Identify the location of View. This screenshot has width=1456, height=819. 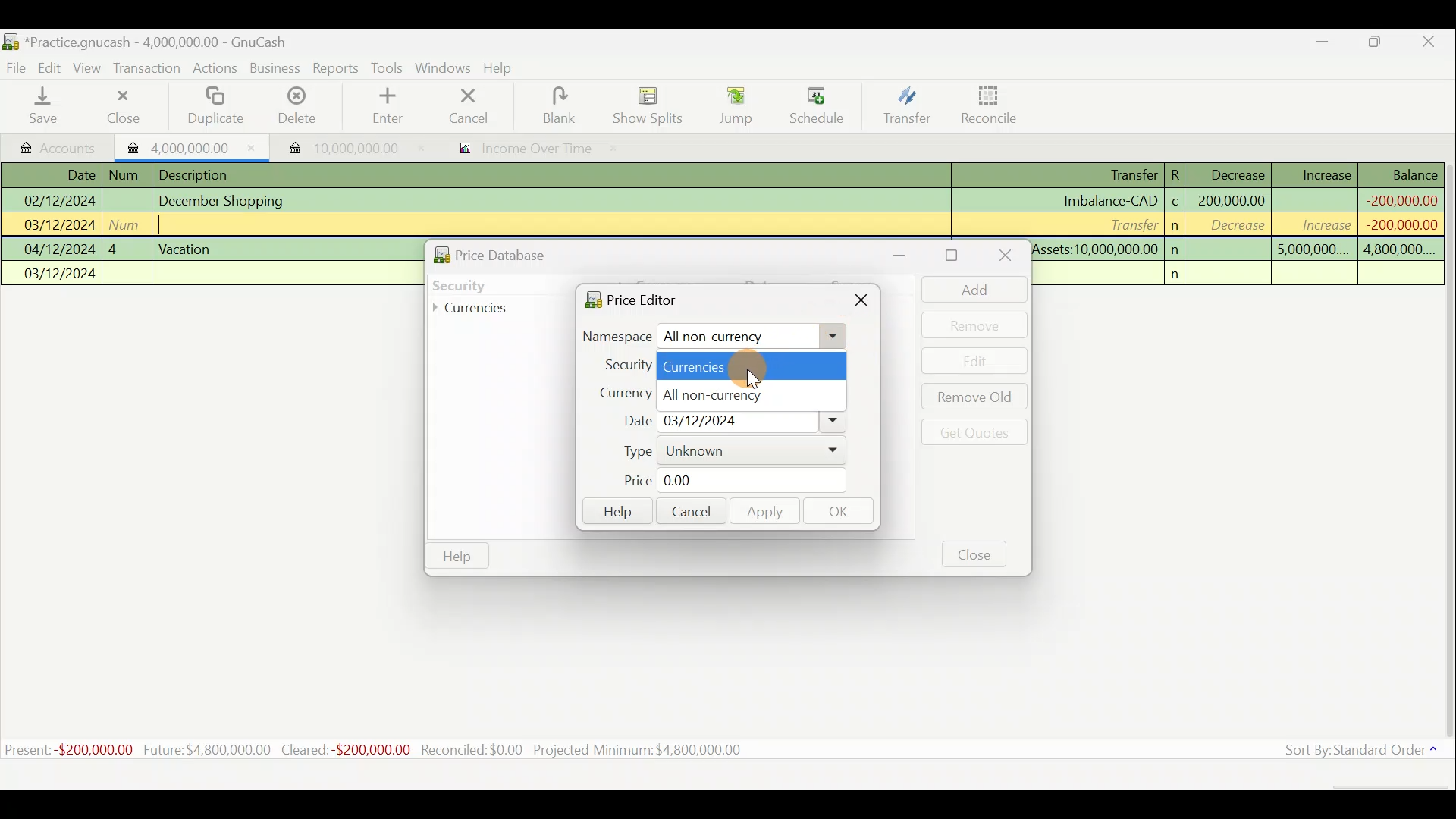
(92, 67).